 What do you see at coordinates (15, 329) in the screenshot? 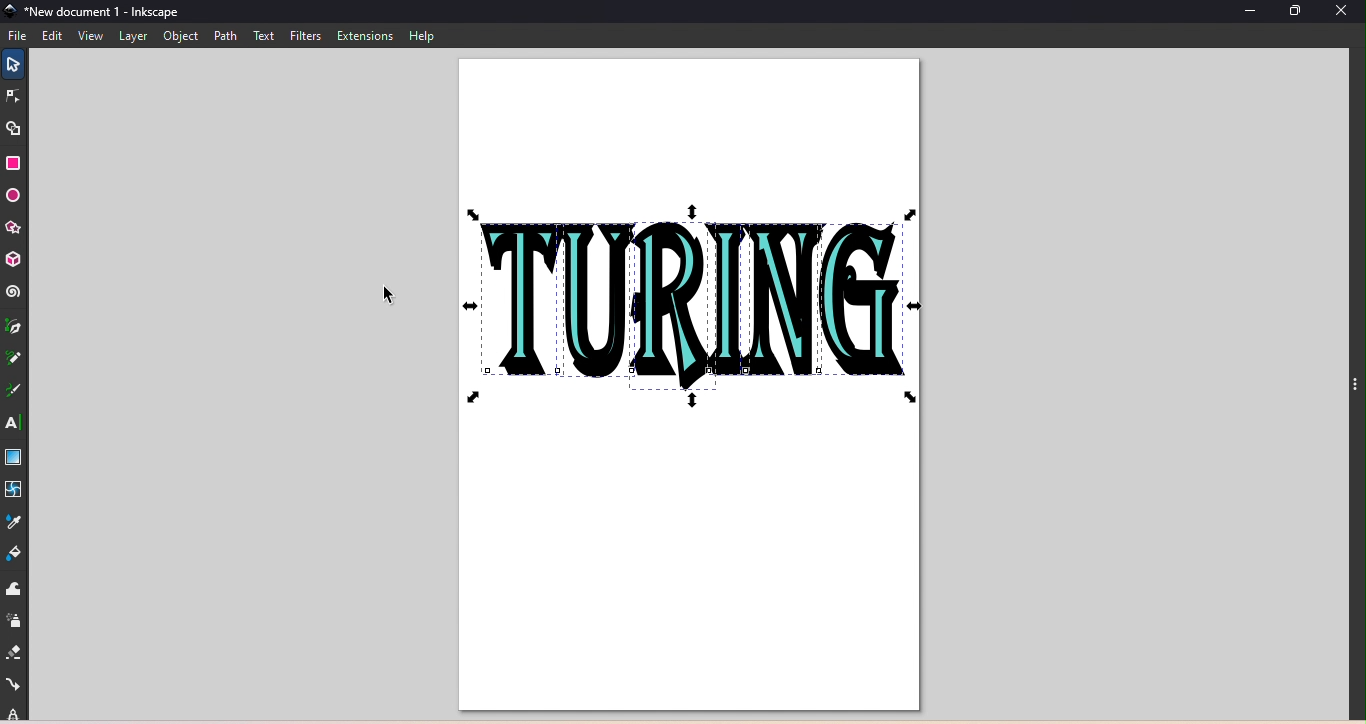
I see `Pen tool` at bounding box center [15, 329].